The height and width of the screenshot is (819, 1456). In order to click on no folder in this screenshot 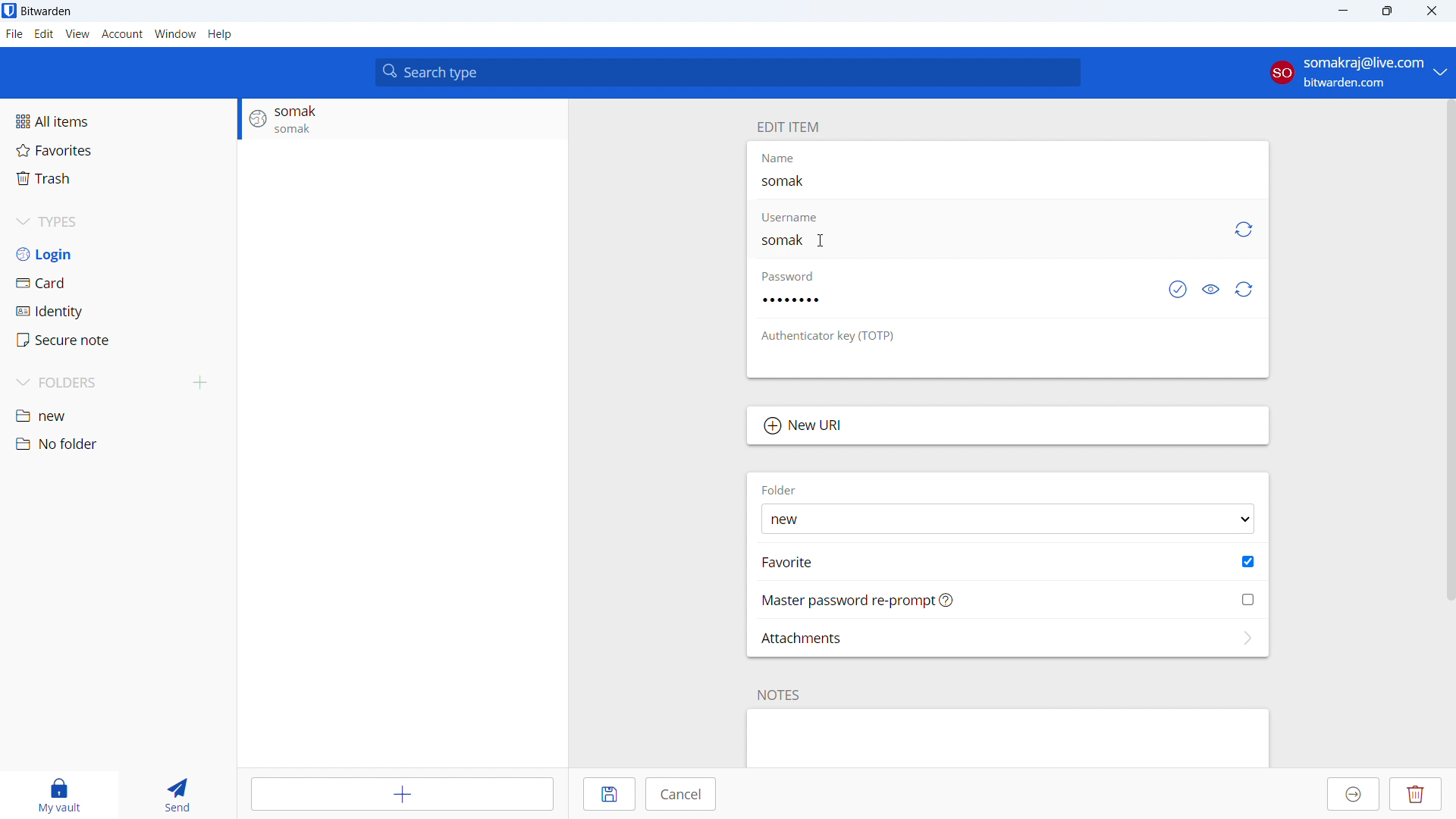, I will do `click(118, 444)`.